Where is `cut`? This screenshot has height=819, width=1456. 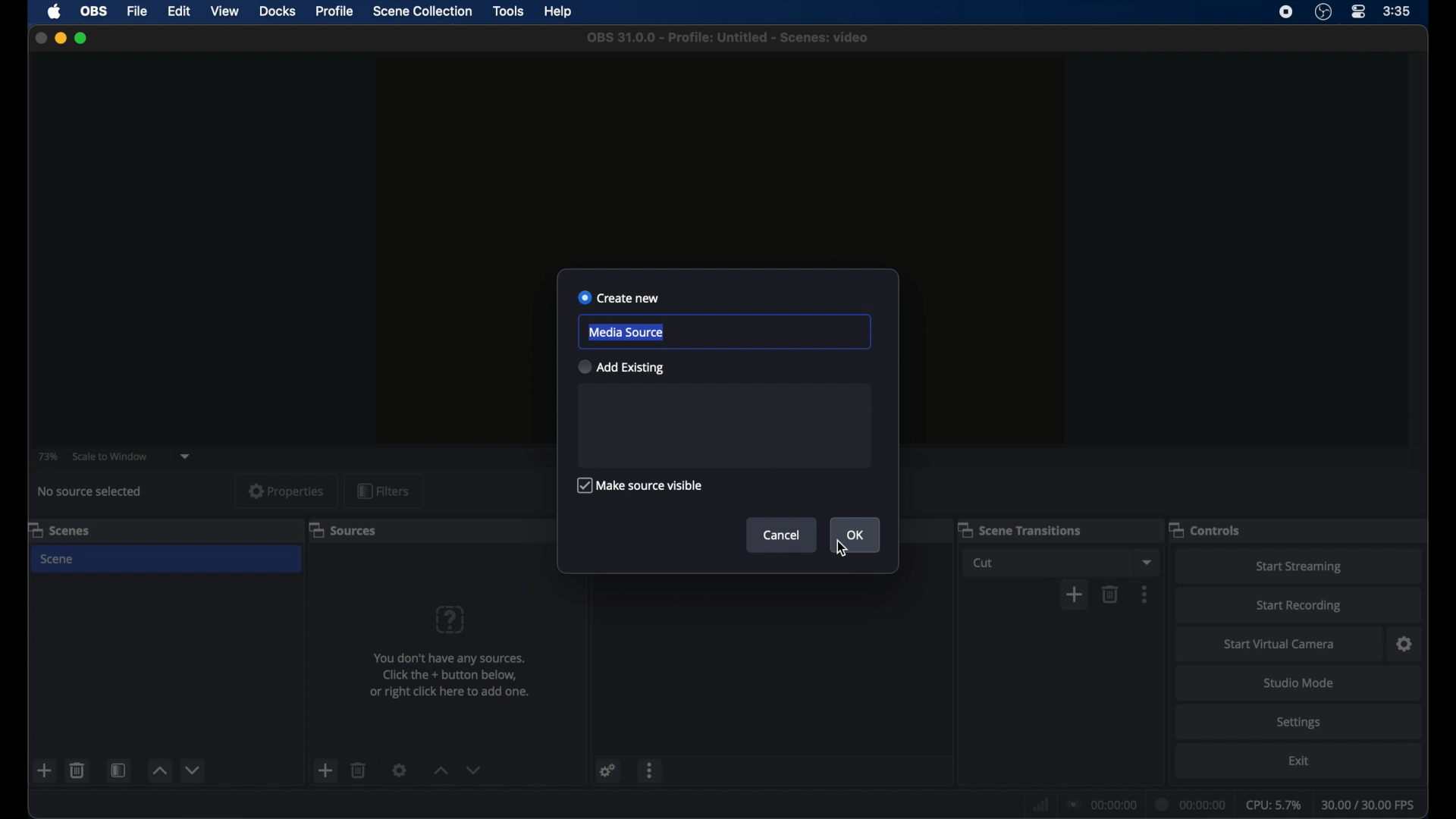
cut is located at coordinates (983, 563).